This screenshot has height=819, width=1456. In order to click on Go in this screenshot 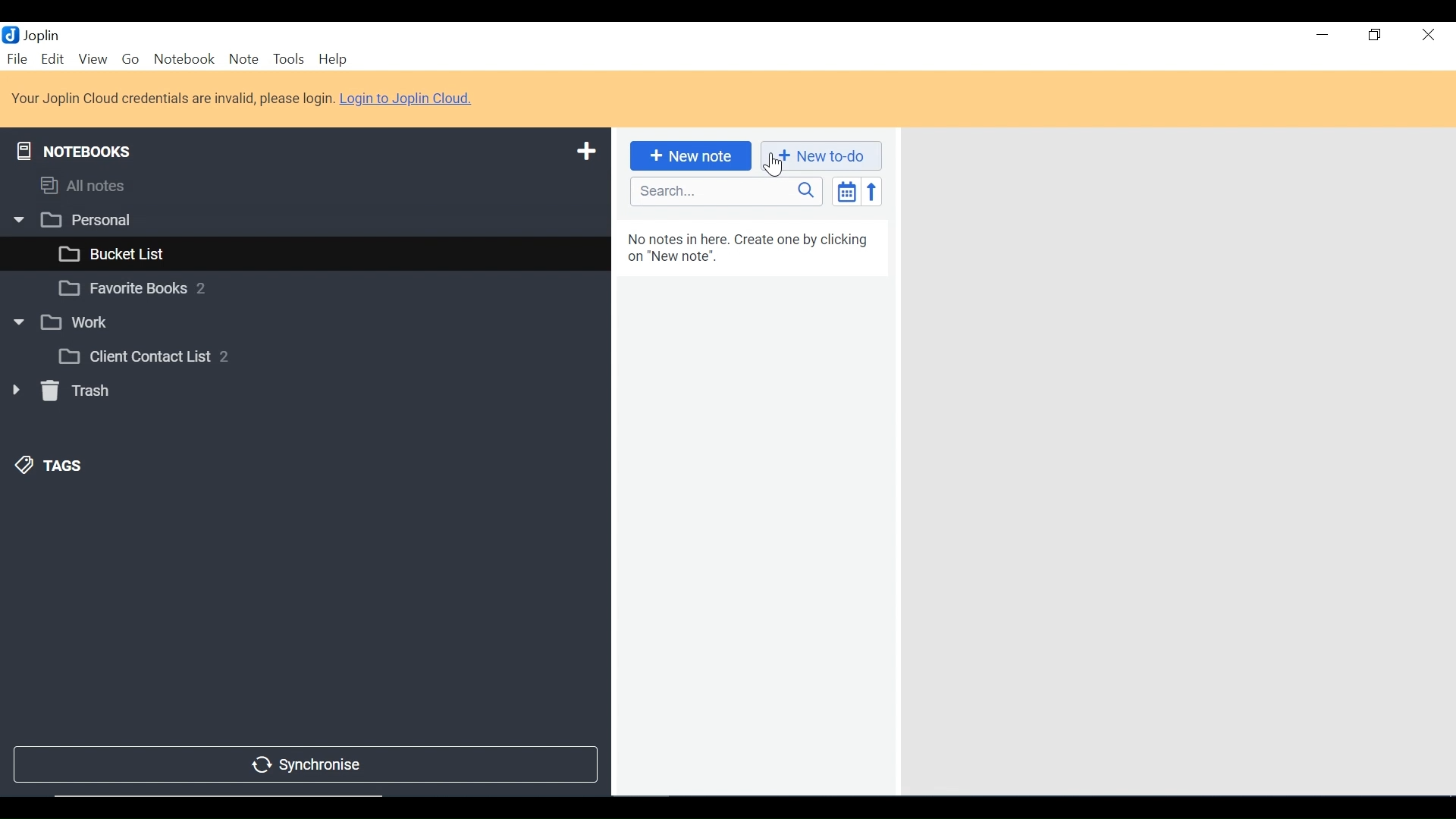, I will do `click(133, 61)`.